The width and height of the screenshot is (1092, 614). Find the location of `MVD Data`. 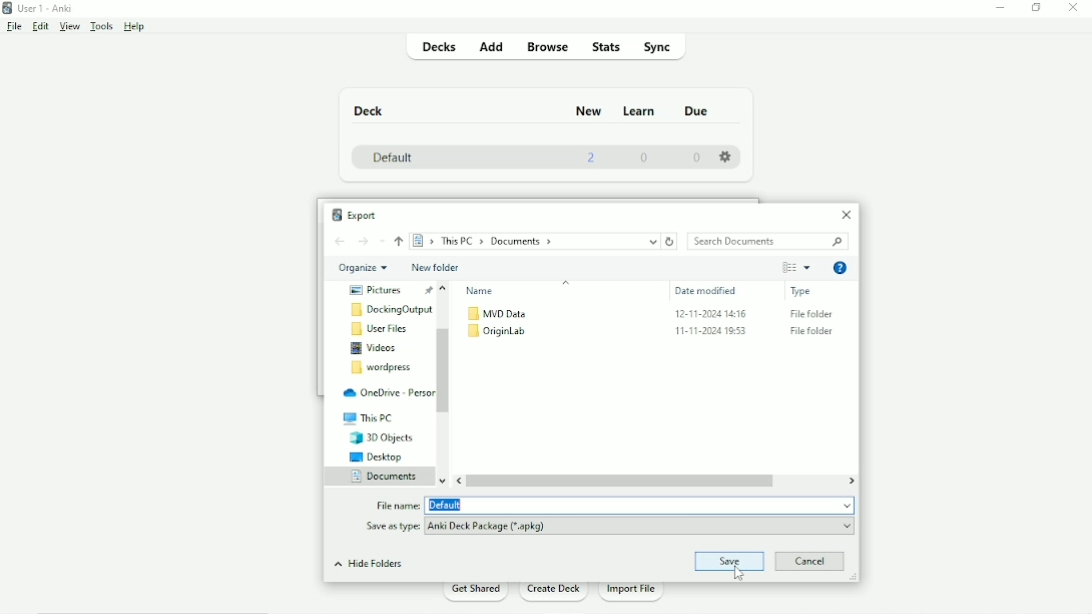

MVD Data is located at coordinates (500, 314).